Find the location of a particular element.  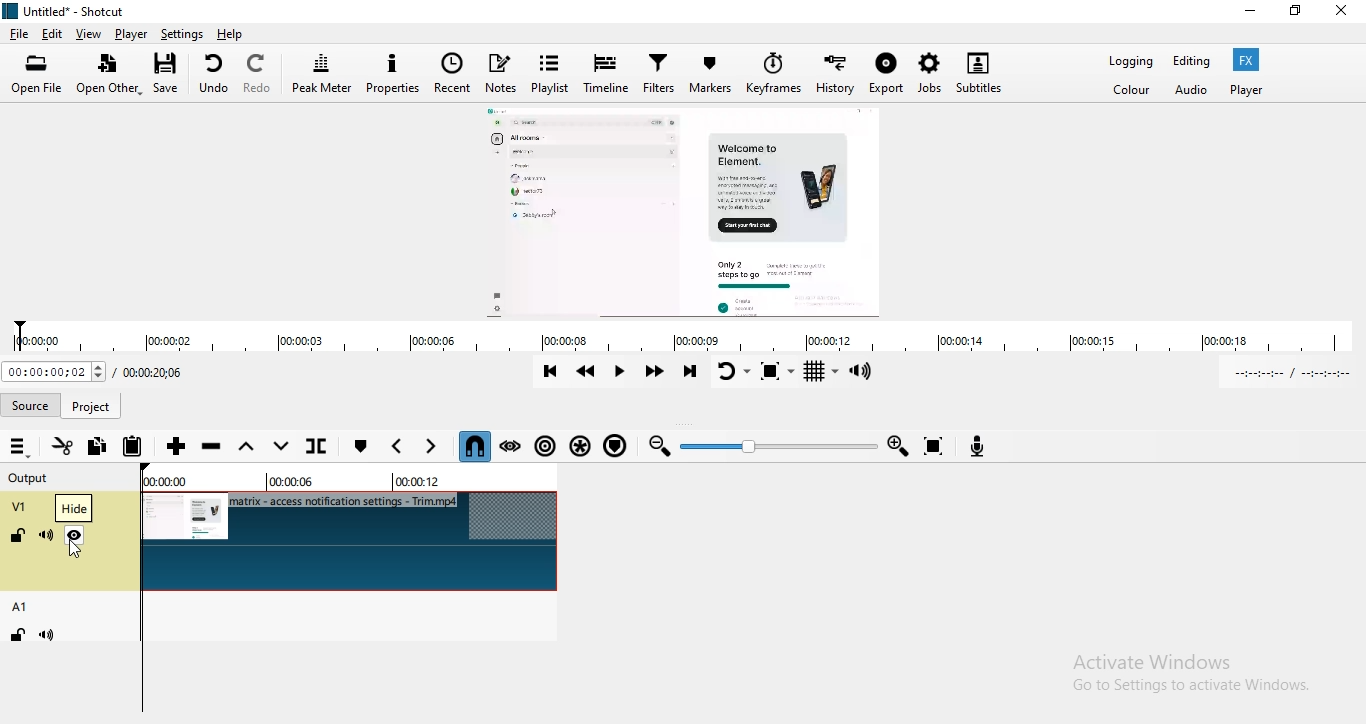

Lift is located at coordinates (249, 447).